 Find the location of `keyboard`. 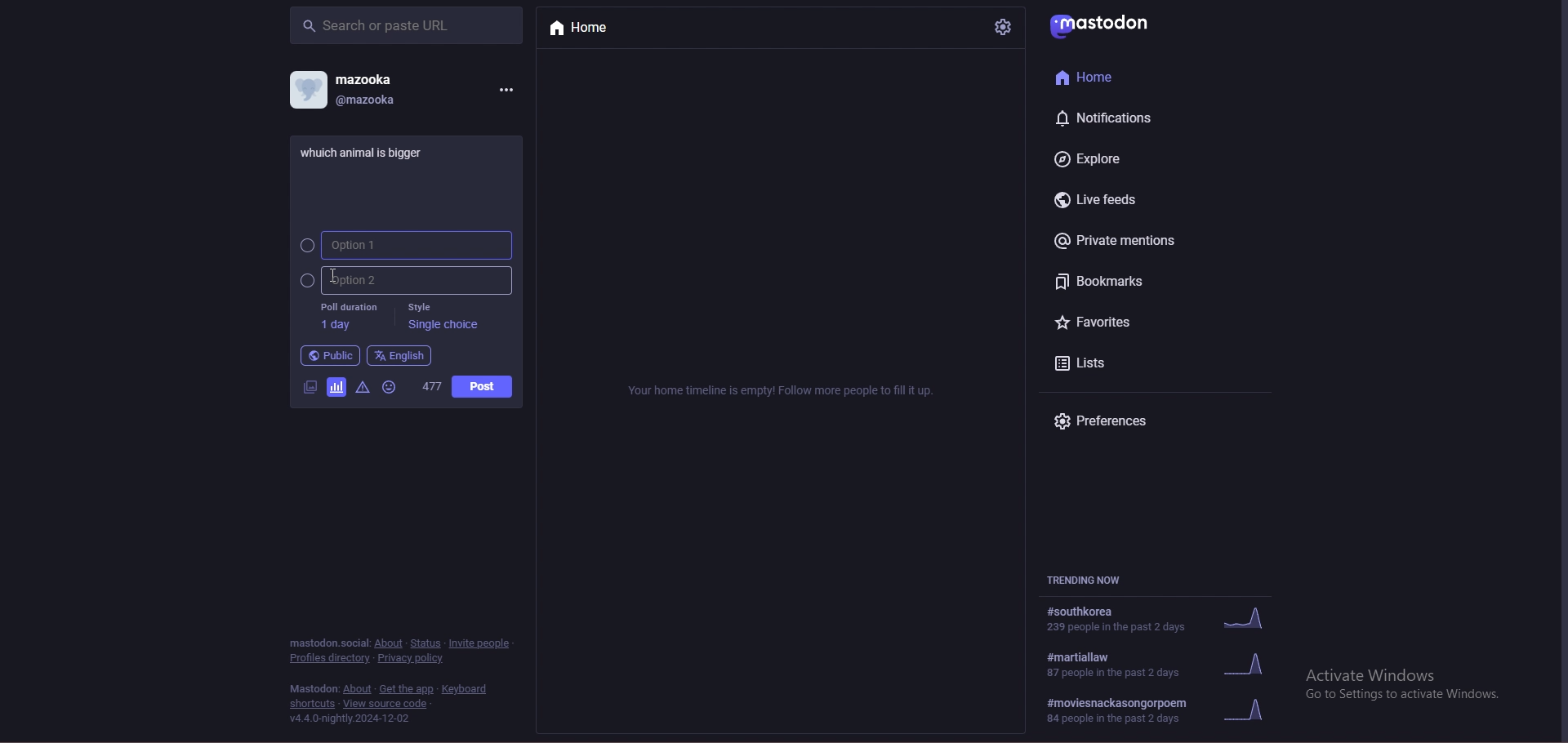

keyboard is located at coordinates (467, 689).